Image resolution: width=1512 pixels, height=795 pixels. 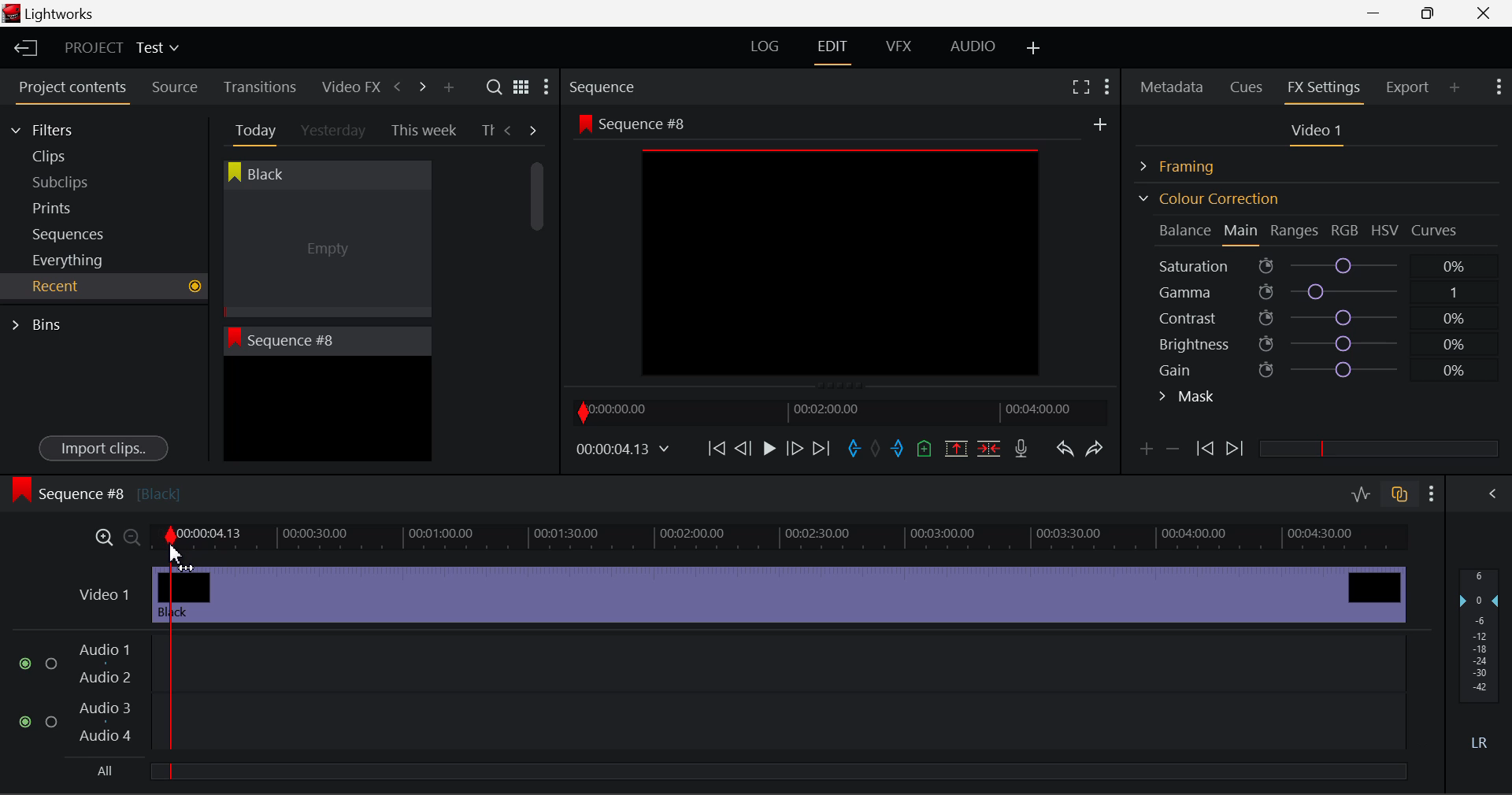 I want to click on Toggle audio track sync, so click(x=1400, y=493).